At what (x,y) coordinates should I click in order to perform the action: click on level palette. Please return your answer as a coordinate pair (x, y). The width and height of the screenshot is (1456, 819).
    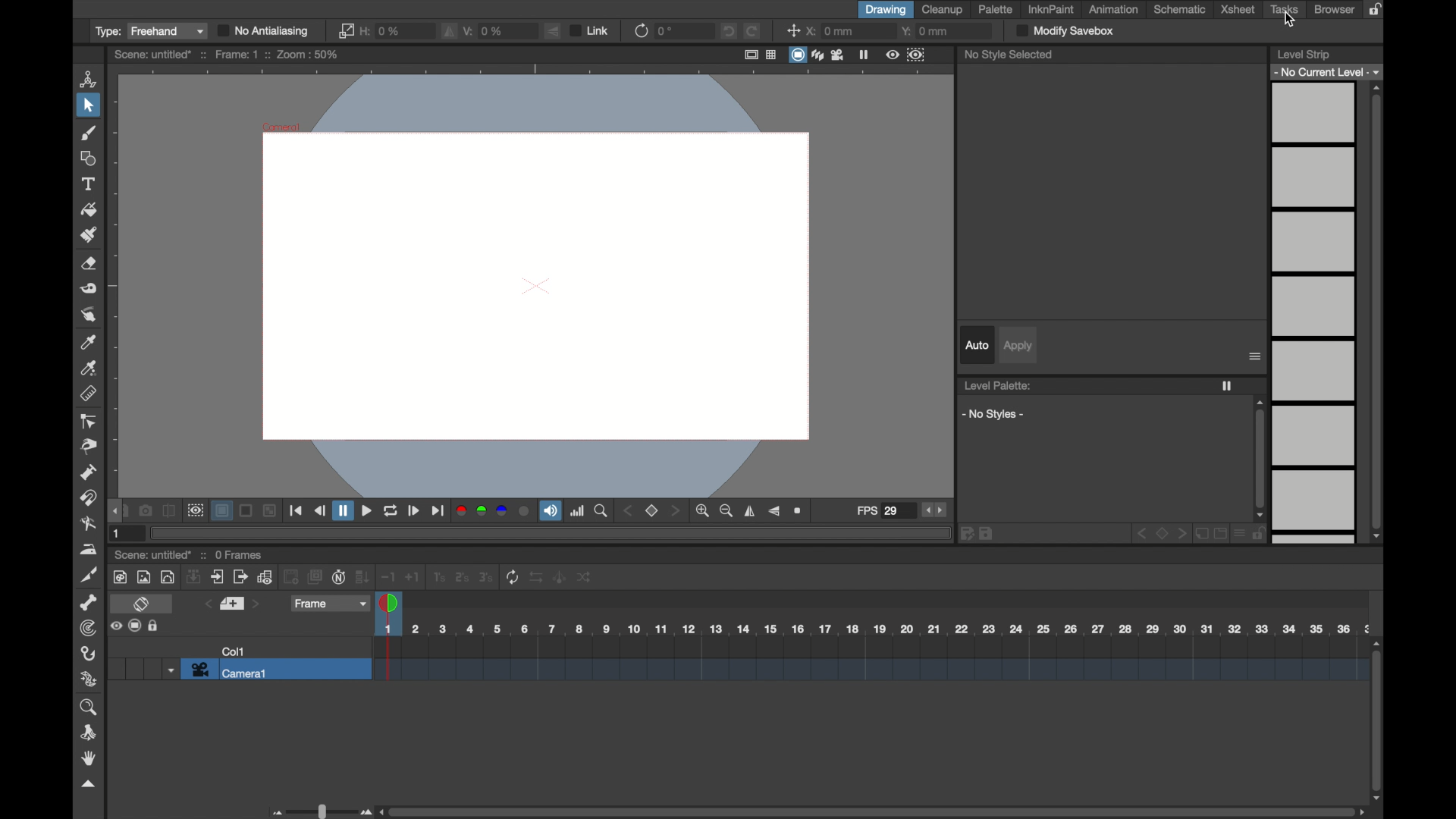
    Looking at the image, I should click on (996, 386).